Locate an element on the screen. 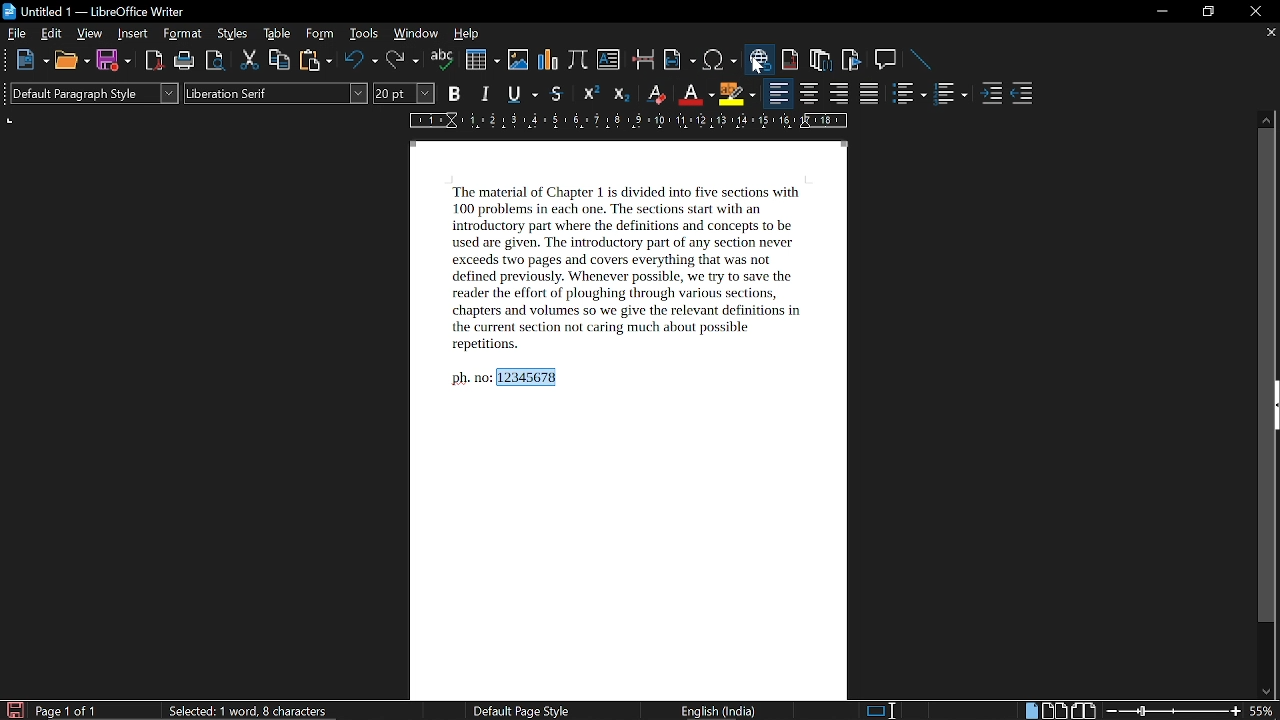 This screenshot has height=720, width=1280. print is located at coordinates (182, 61).